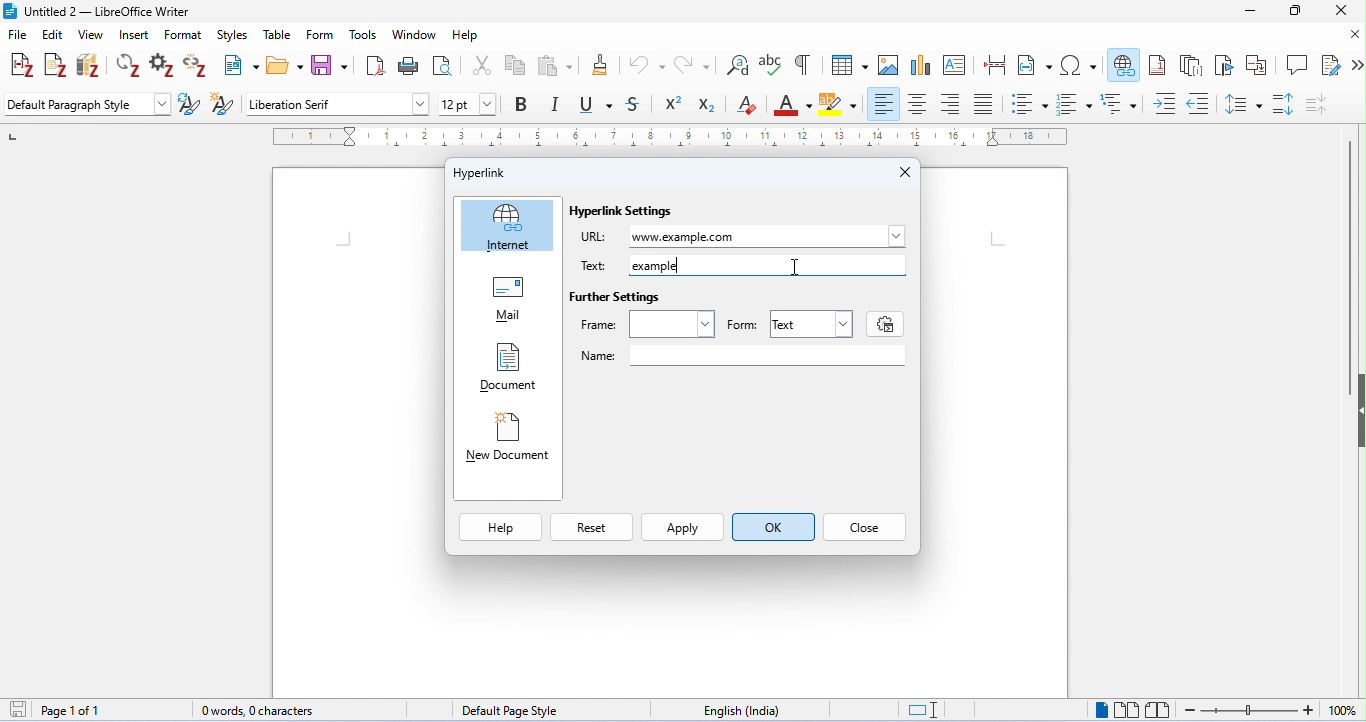 The image size is (1366, 722). What do you see at coordinates (364, 34) in the screenshot?
I see `tools` at bounding box center [364, 34].